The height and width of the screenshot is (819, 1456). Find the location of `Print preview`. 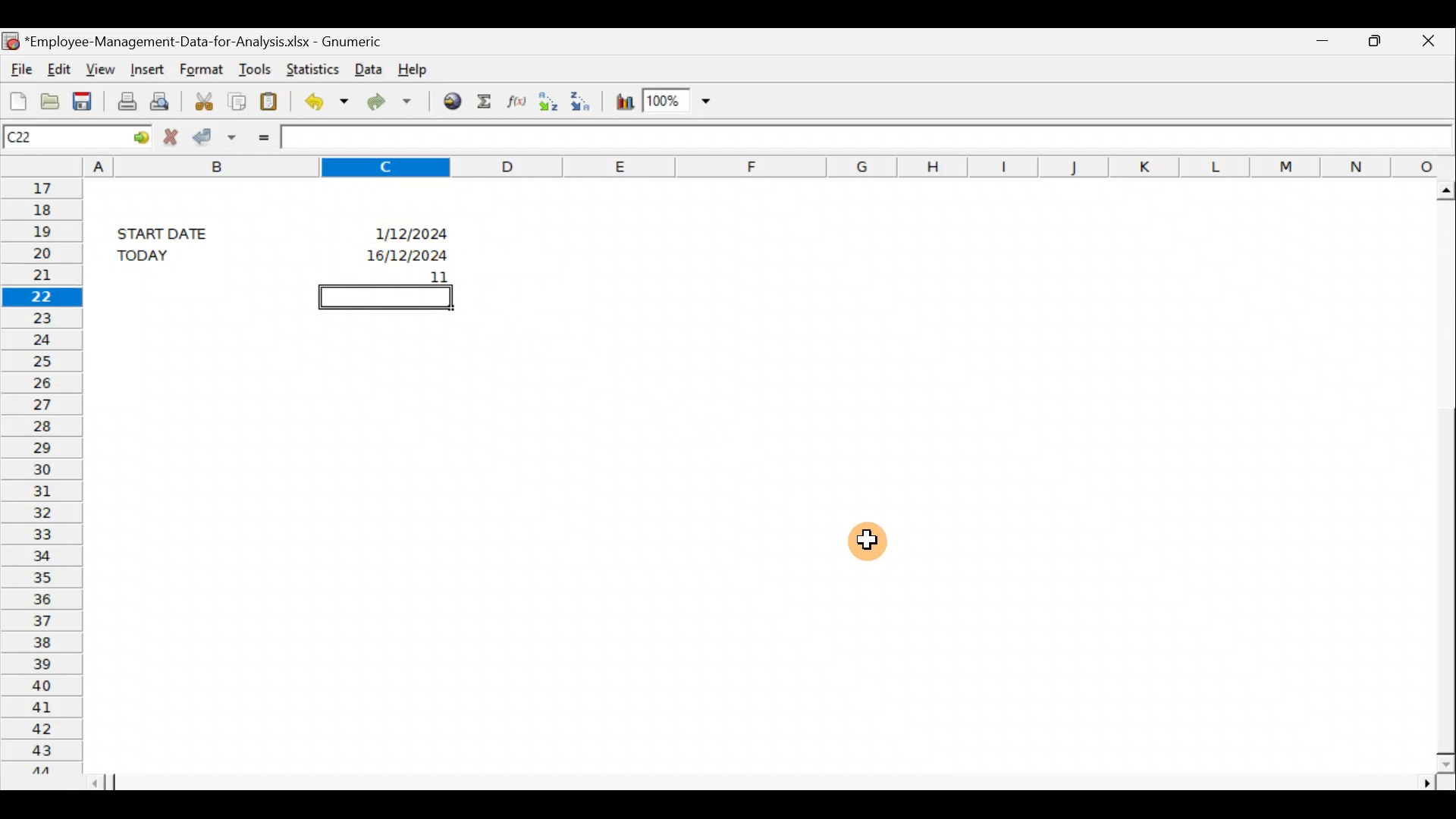

Print preview is located at coordinates (165, 100).